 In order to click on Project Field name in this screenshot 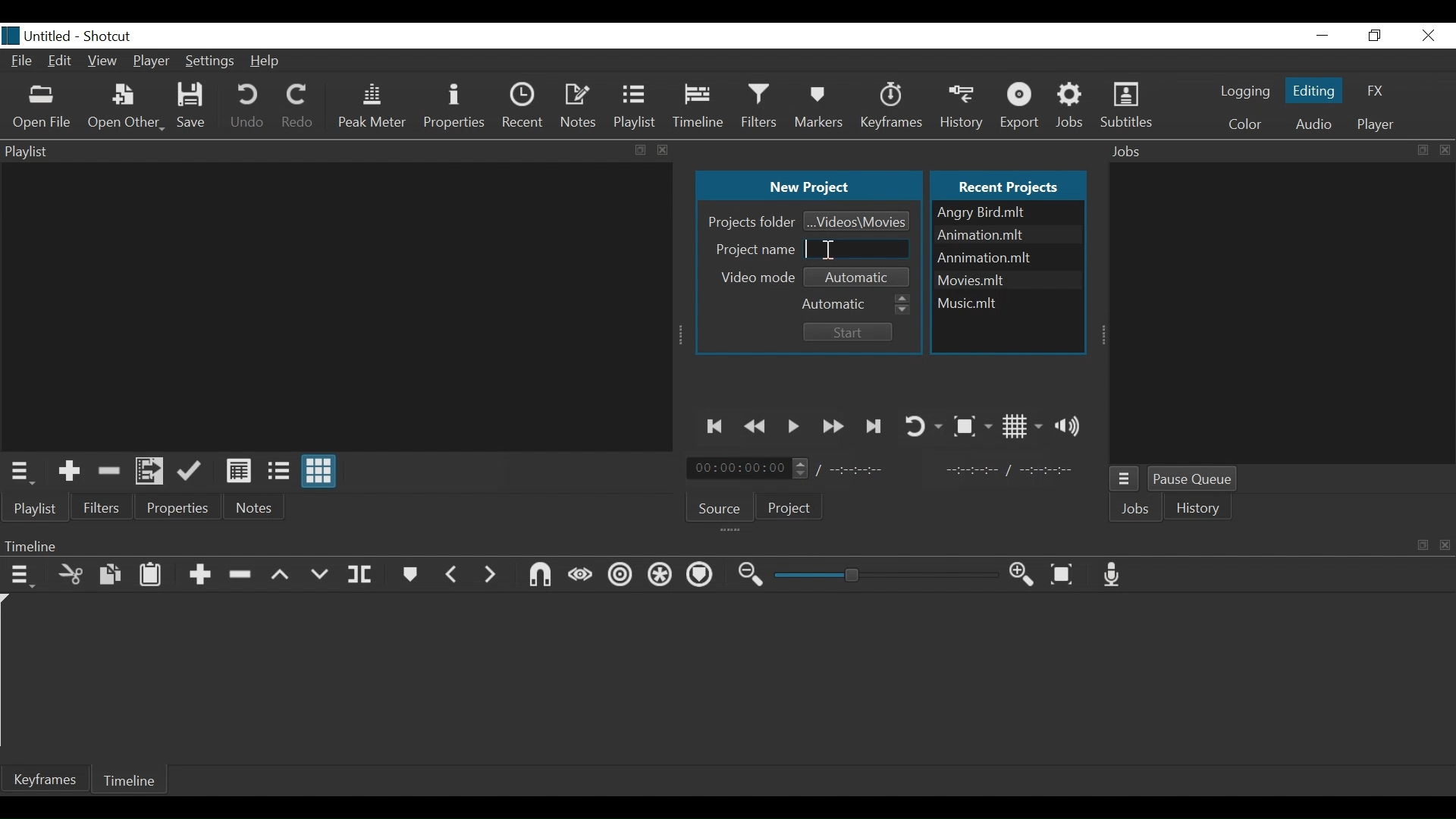, I will do `click(858, 249)`.